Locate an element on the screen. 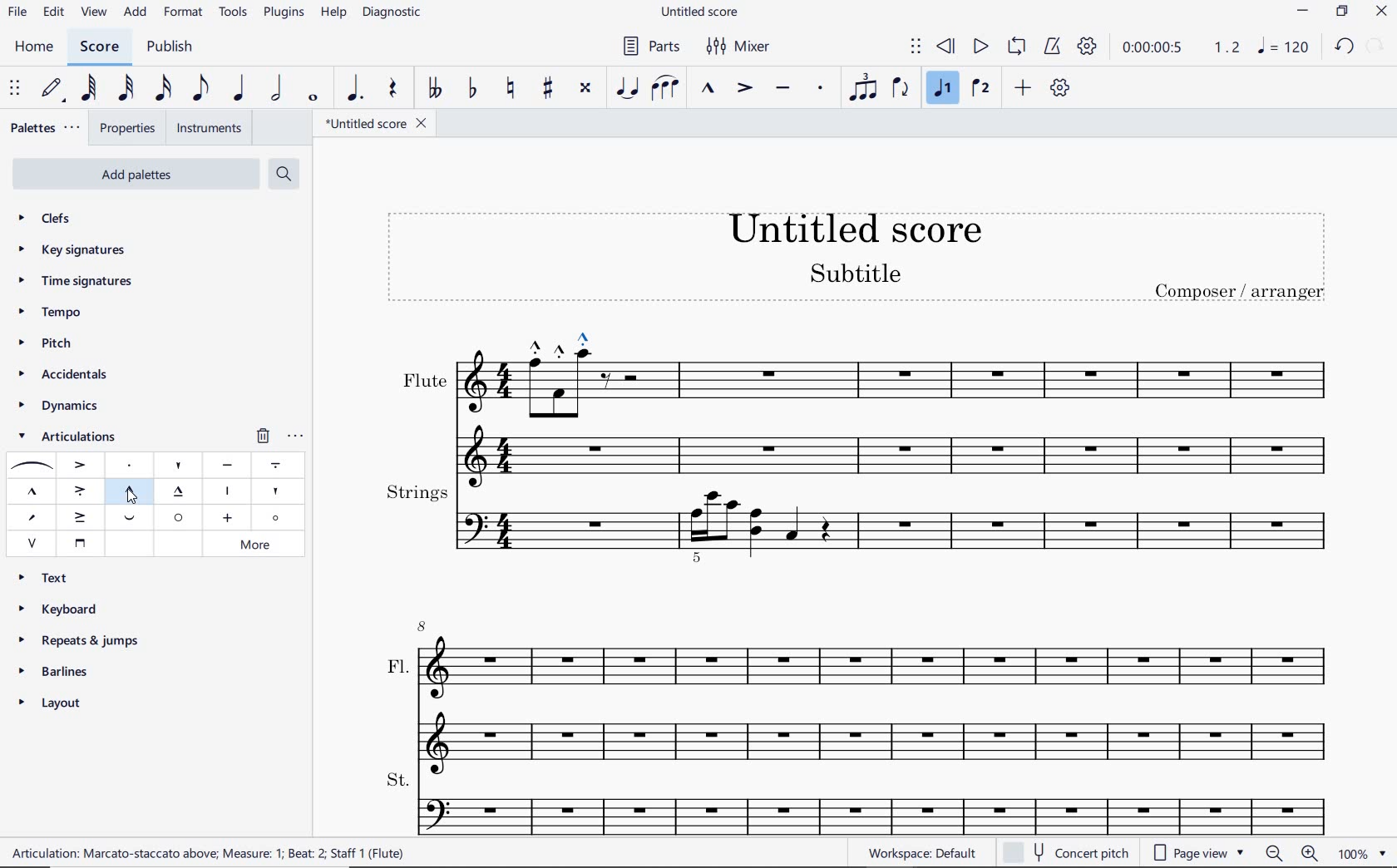 The height and width of the screenshot is (868, 1397). st. is located at coordinates (875, 801).